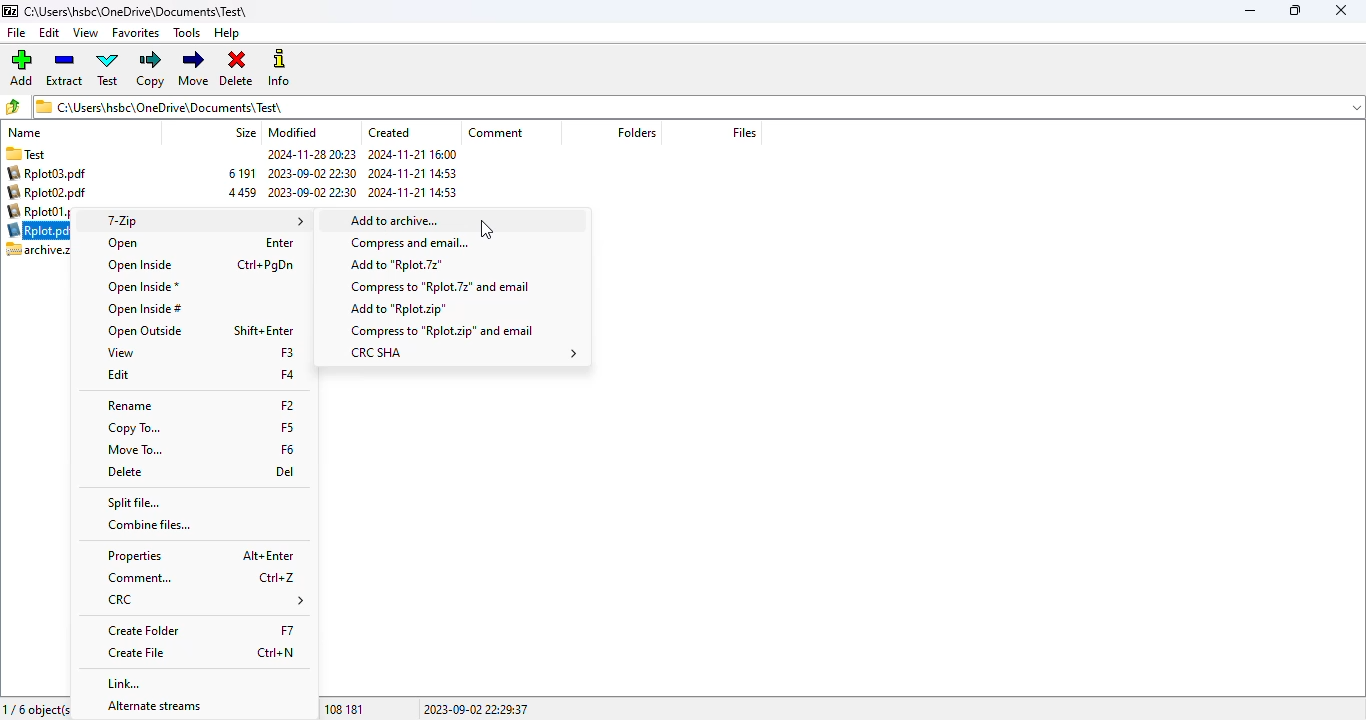  What do you see at coordinates (149, 526) in the screenshot?
I see `combine files` at bounding box center [149, 526].